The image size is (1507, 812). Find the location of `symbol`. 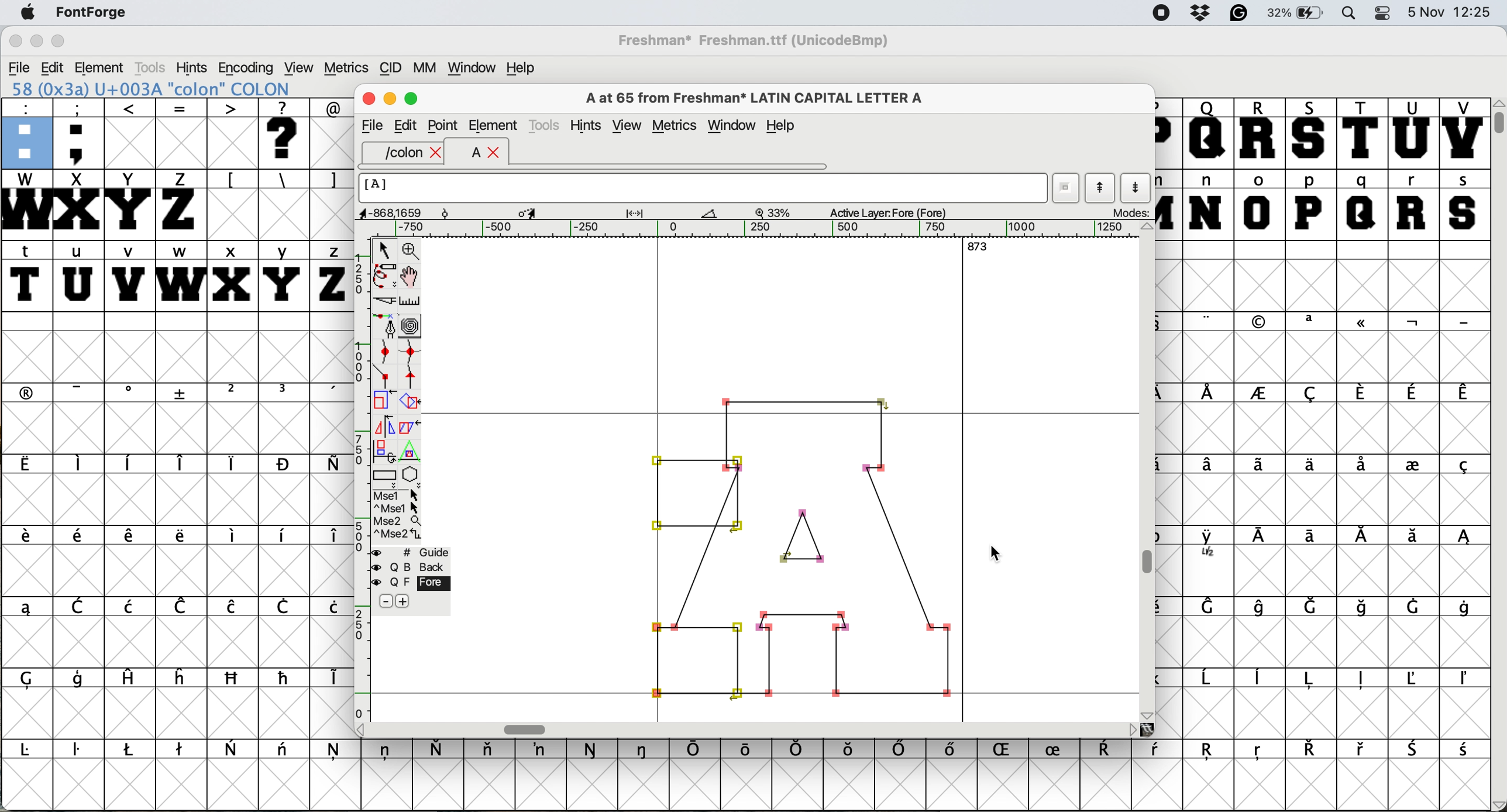

symbol is located at coordinates (284, 393).